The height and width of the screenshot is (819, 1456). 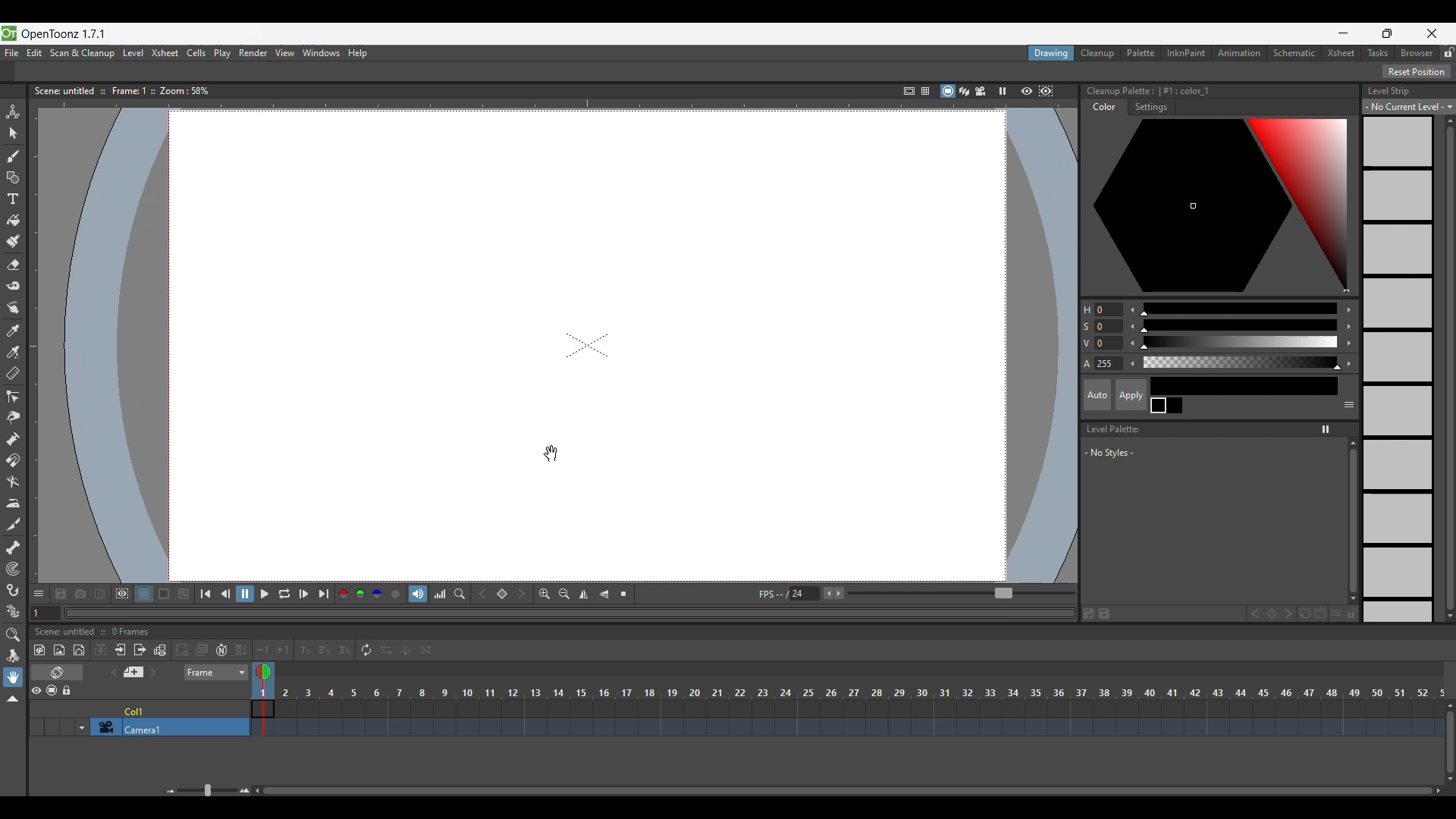 What do you see at coordinates (13, 504) in the screenshot?
I see `Iron tool` at bounding box center [13, 504].